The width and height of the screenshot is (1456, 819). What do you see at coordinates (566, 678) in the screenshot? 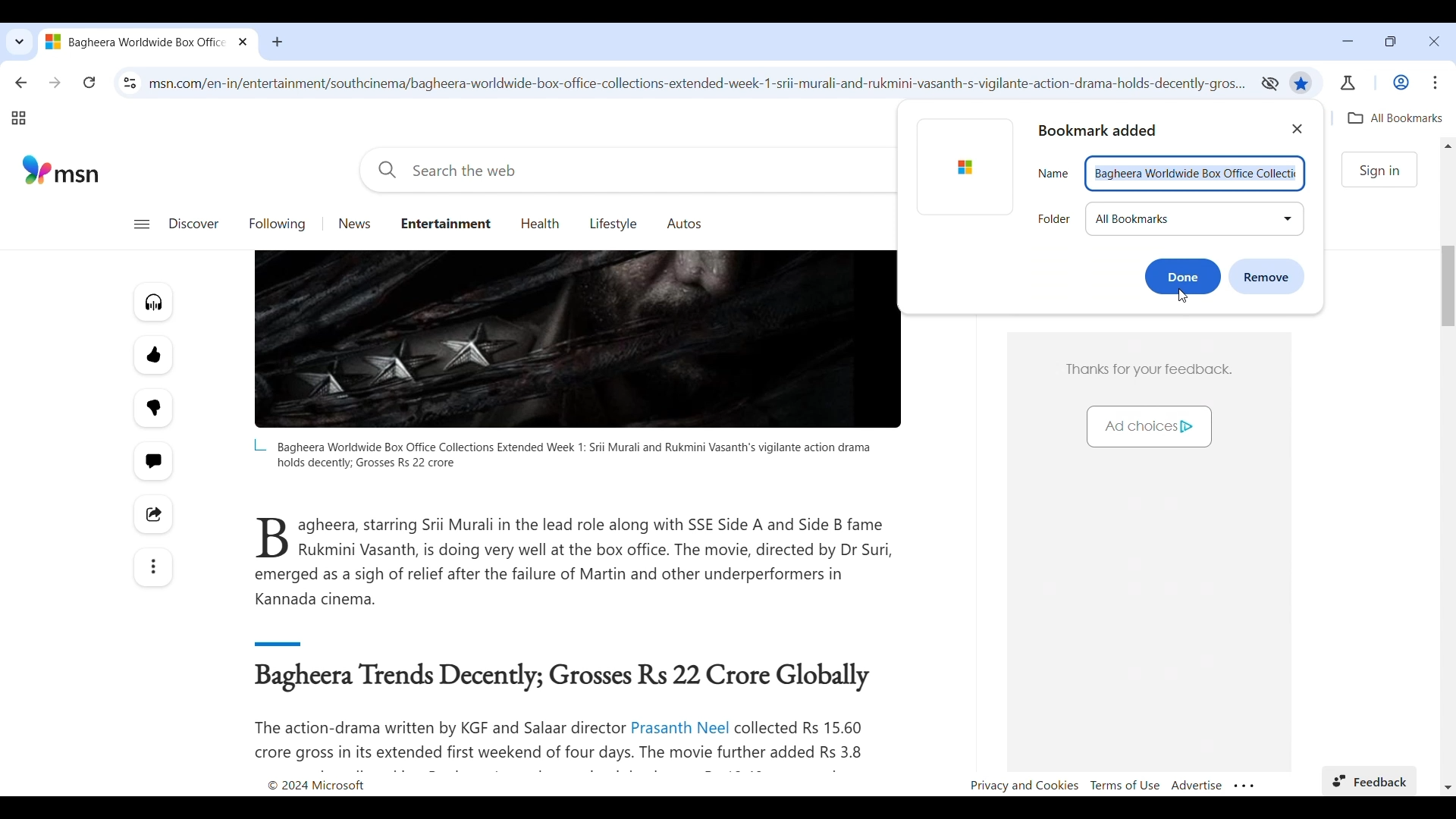
I see `Article sub-title` at bounding box center [566, 678].